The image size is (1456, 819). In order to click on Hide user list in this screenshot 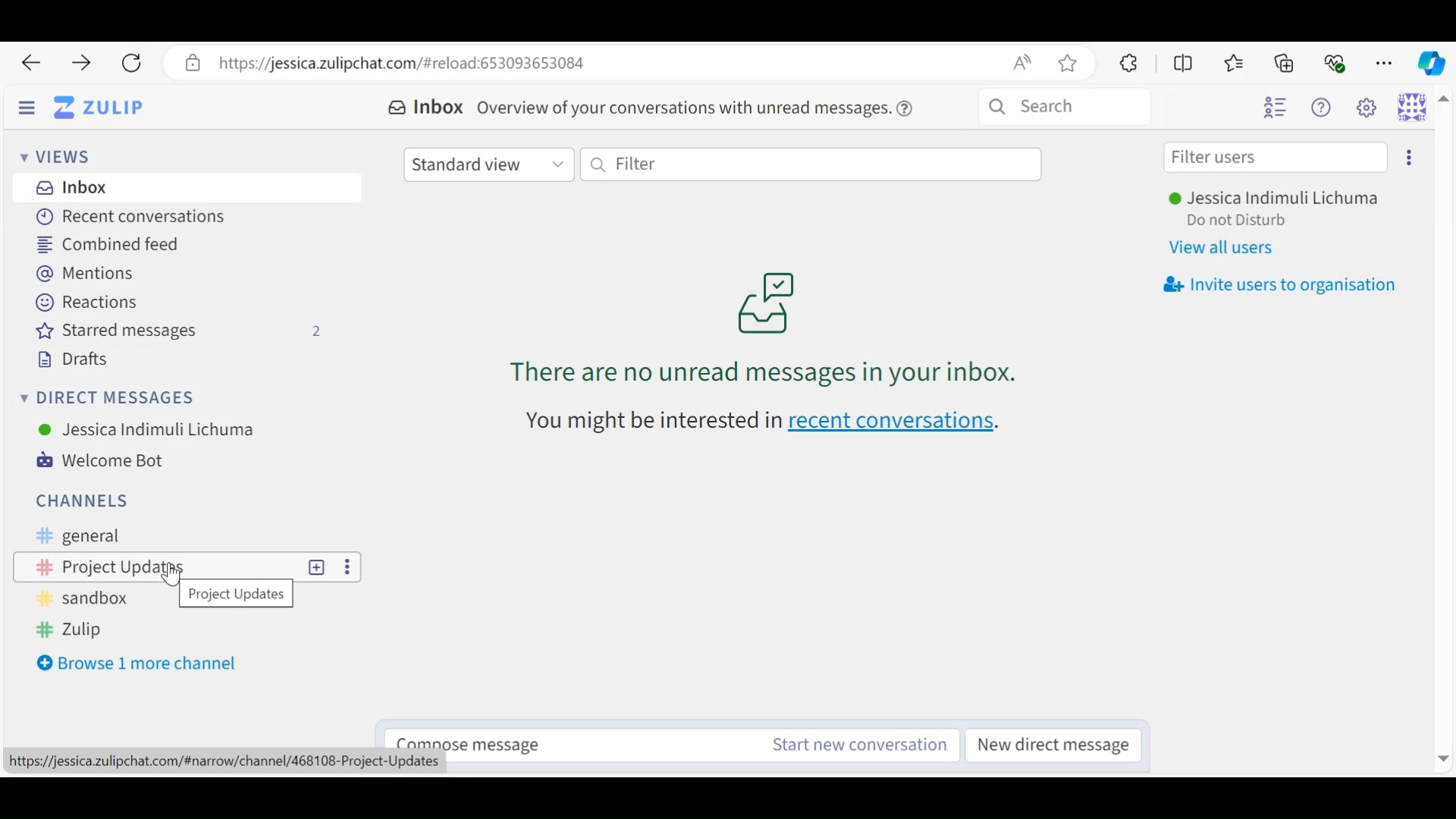, I will do `click(1275, 108)`.